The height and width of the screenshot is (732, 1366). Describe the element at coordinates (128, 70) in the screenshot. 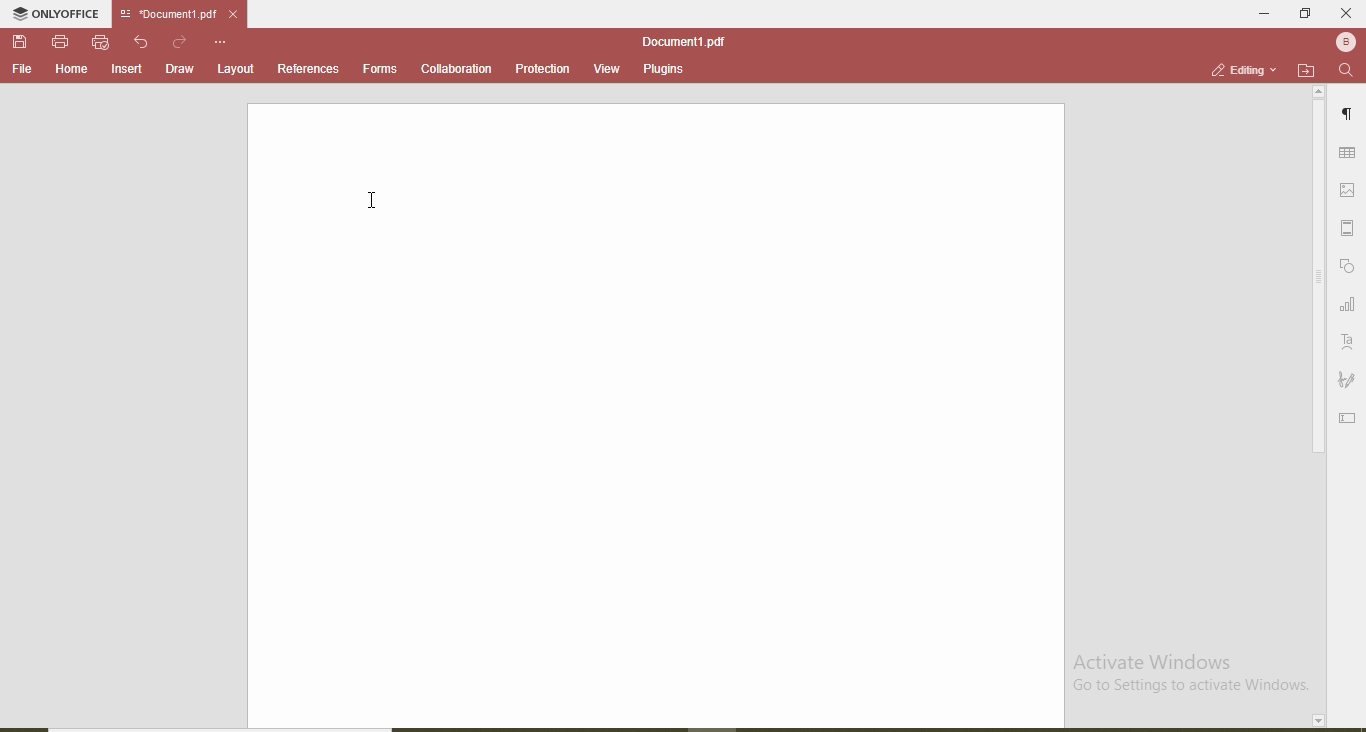

I see `insert` at that location.